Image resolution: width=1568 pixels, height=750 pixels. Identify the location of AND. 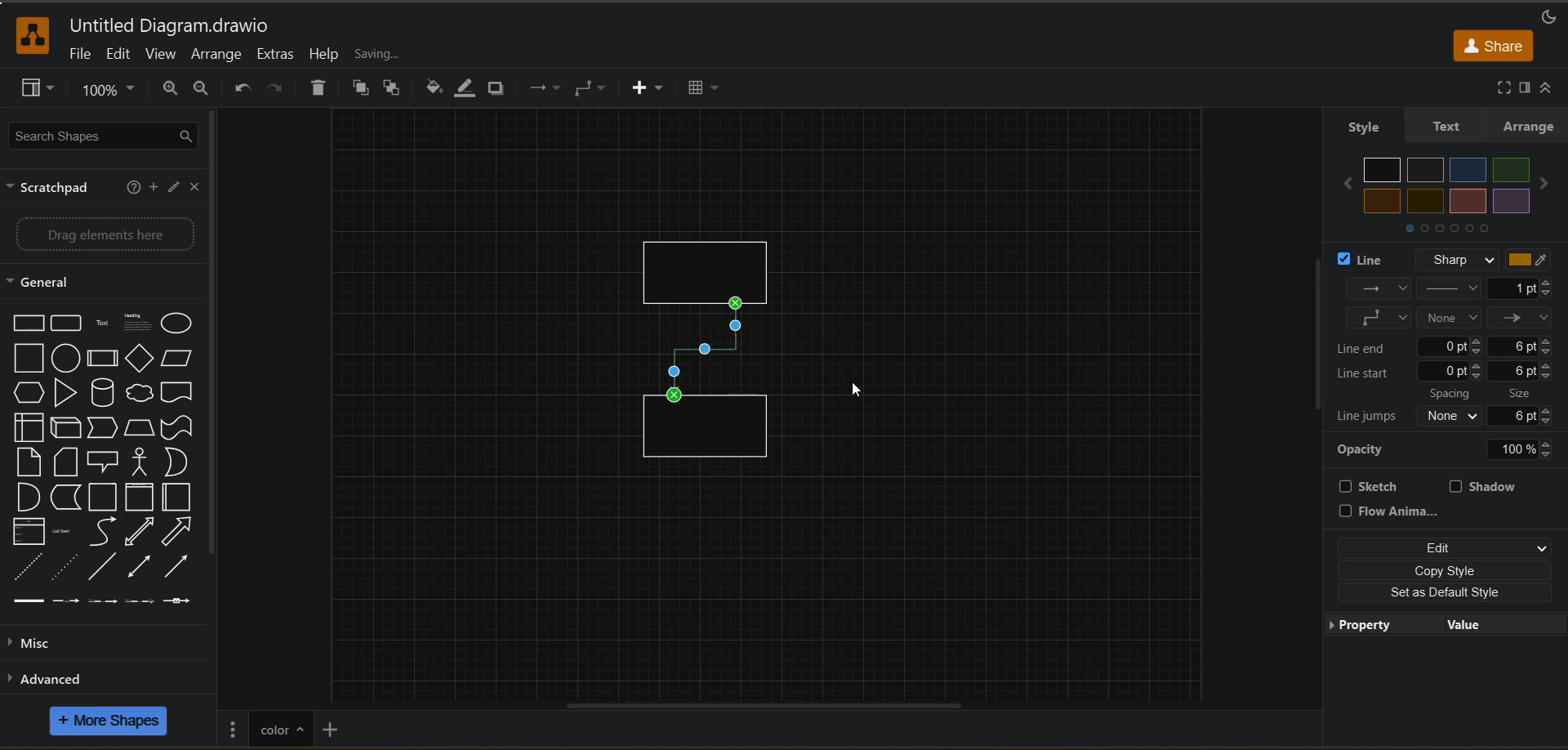
(27, 497).